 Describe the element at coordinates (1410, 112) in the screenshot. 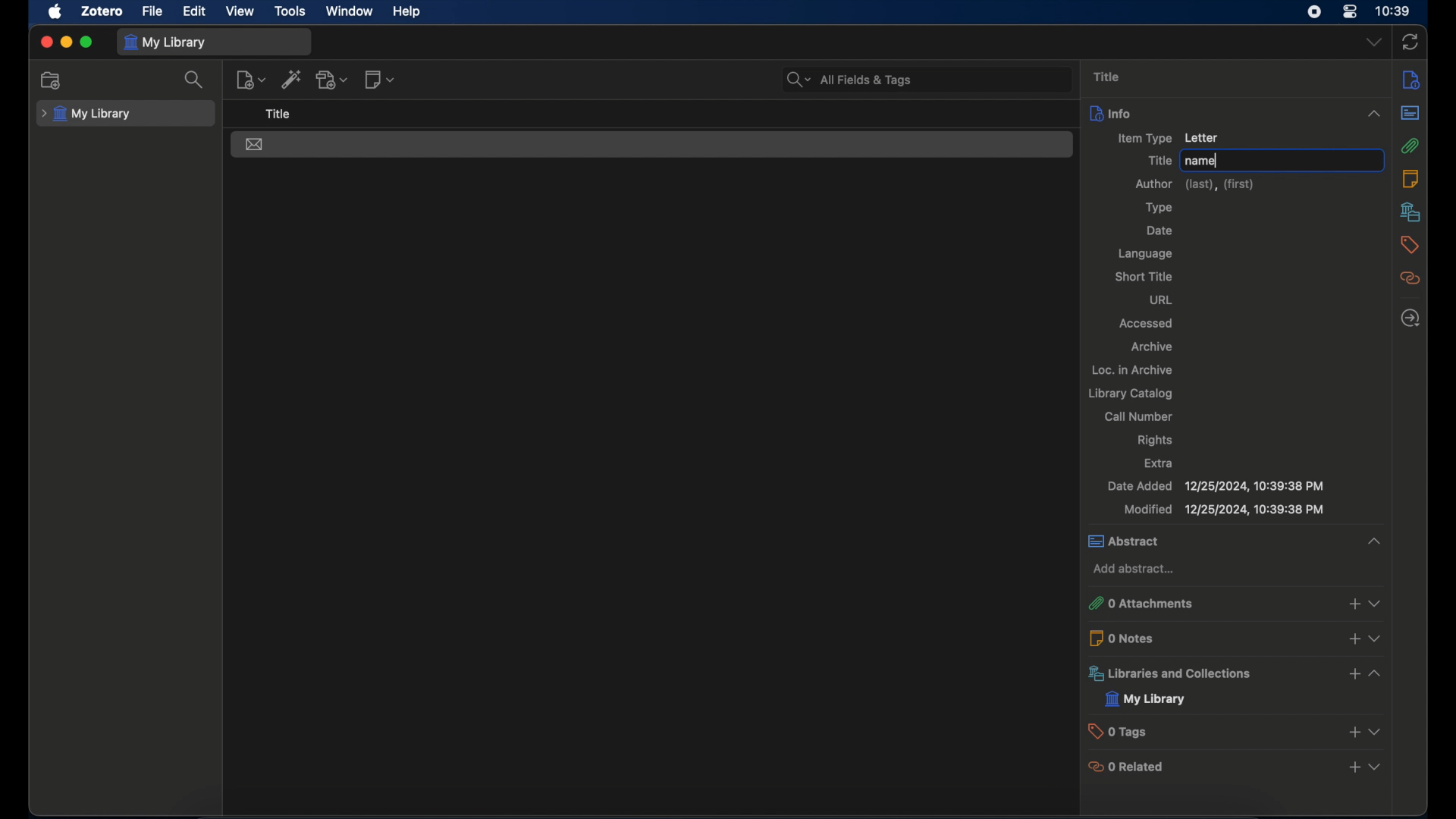

I see `abstract` at that location.